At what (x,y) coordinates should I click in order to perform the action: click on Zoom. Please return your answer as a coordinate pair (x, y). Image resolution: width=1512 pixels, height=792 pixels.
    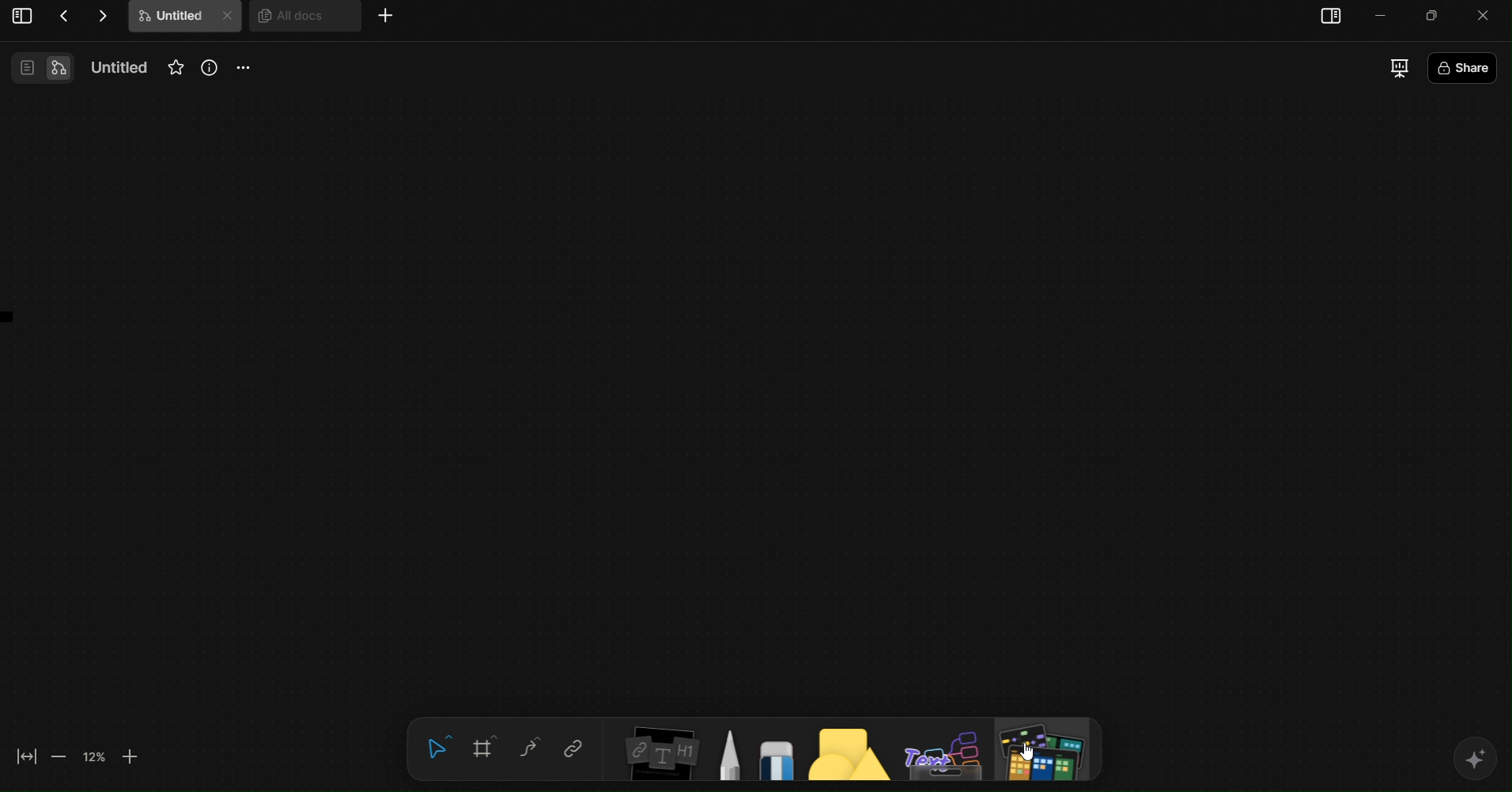
    Looking at the image, I should click on (76, 756).